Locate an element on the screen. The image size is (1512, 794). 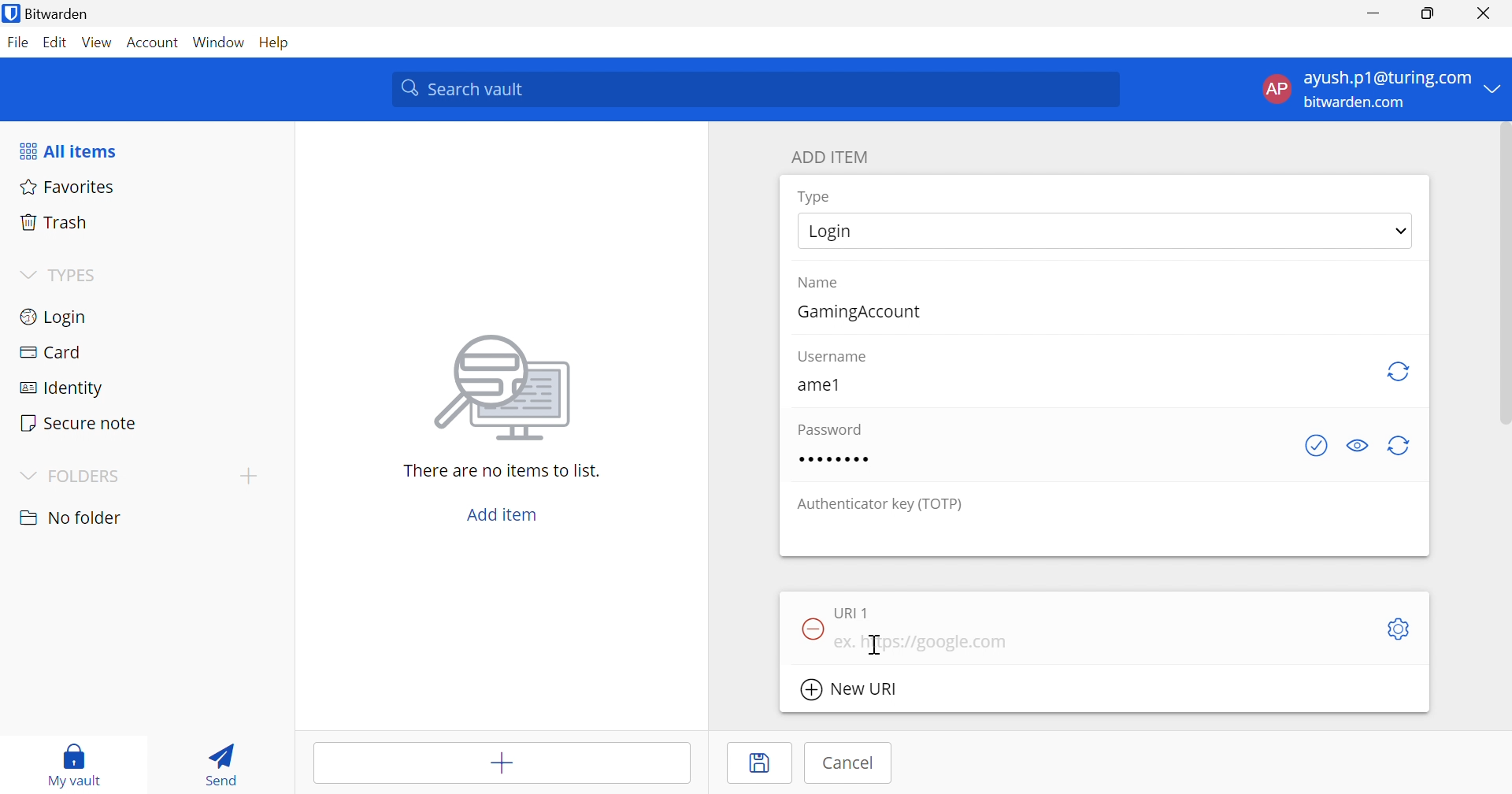
All items is located at coordinates (67, 151).